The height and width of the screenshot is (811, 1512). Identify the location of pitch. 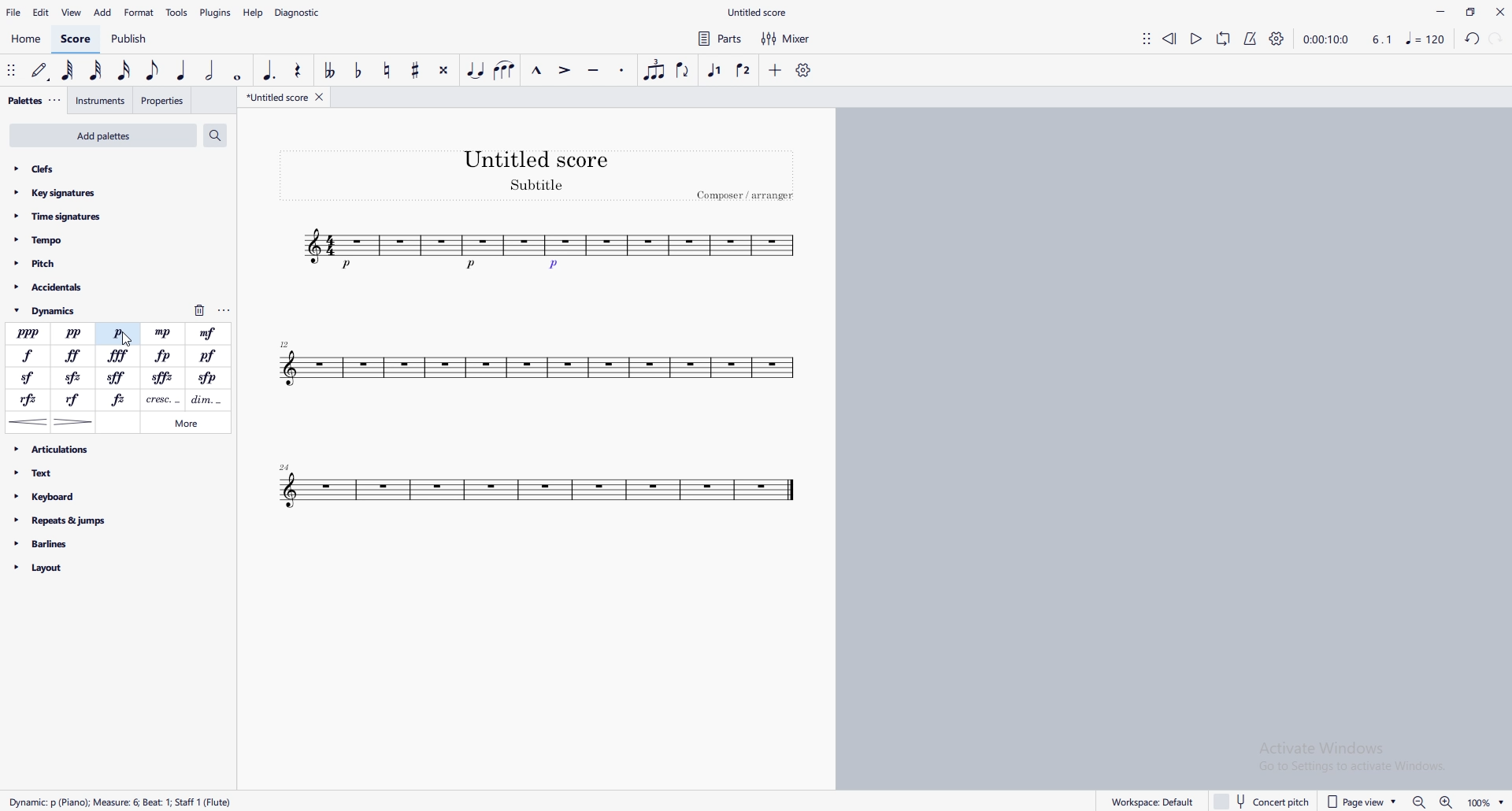
(101, 264).